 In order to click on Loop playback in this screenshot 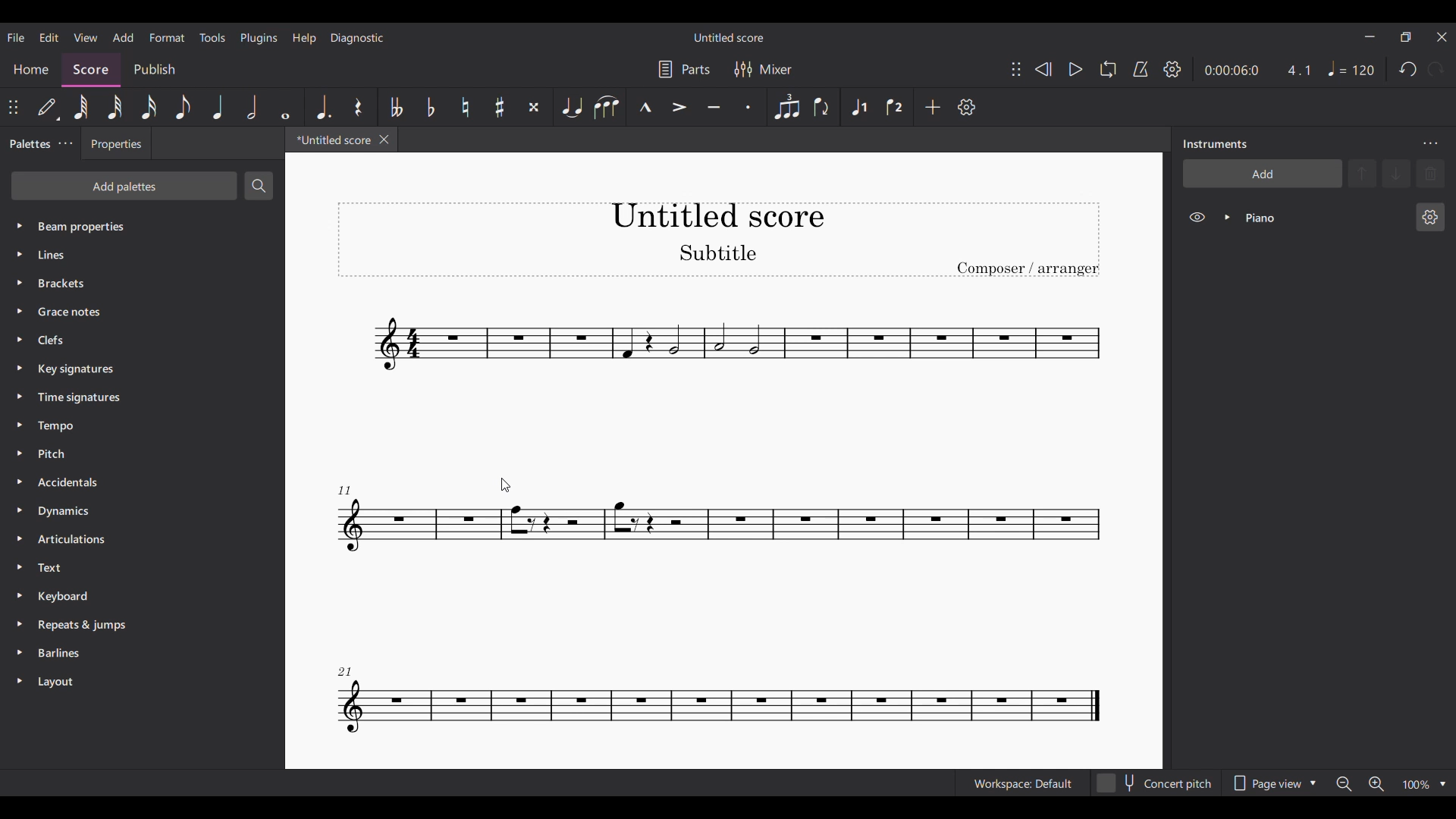, I will do `click(1108, 69)`.